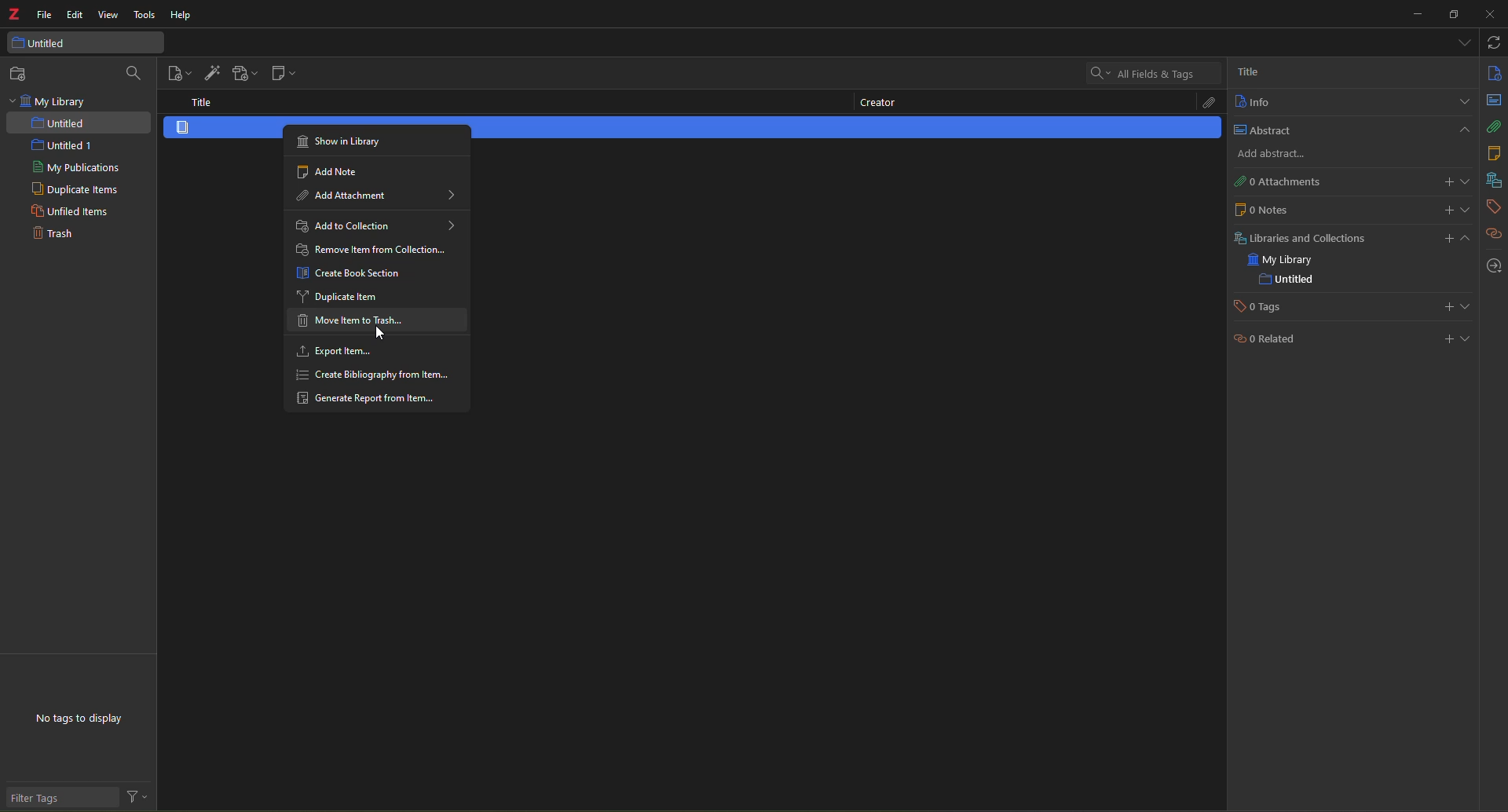  I want to click on add attachment, so click(243, 74).